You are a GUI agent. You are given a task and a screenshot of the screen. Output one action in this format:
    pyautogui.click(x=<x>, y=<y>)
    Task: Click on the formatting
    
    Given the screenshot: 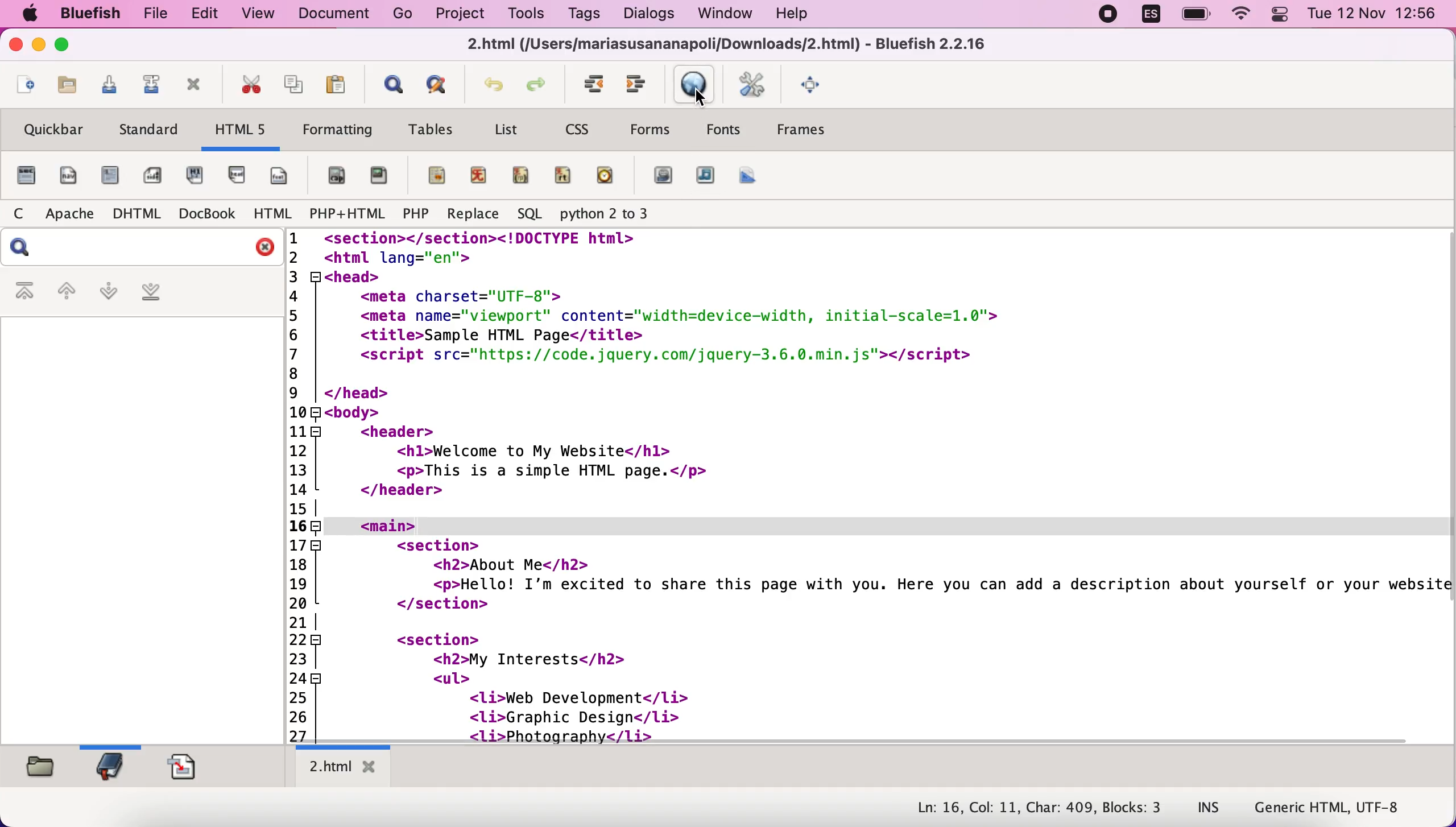 What is the action you would take?
    pyautogui.click(x=336, y=131)
    